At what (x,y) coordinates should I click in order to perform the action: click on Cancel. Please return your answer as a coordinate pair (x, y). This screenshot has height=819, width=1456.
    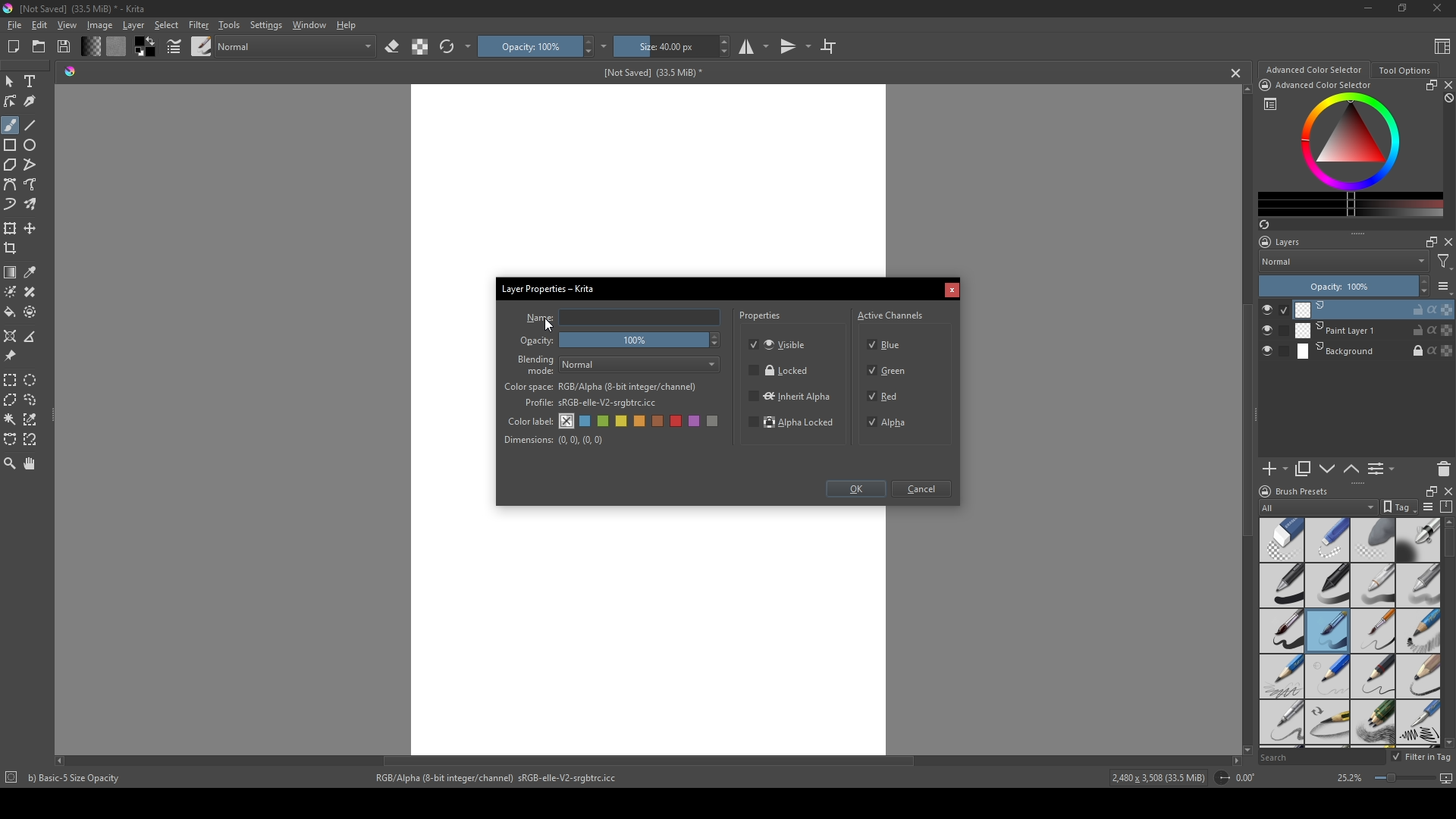
    Looking at the image, I should click on (924, 490).